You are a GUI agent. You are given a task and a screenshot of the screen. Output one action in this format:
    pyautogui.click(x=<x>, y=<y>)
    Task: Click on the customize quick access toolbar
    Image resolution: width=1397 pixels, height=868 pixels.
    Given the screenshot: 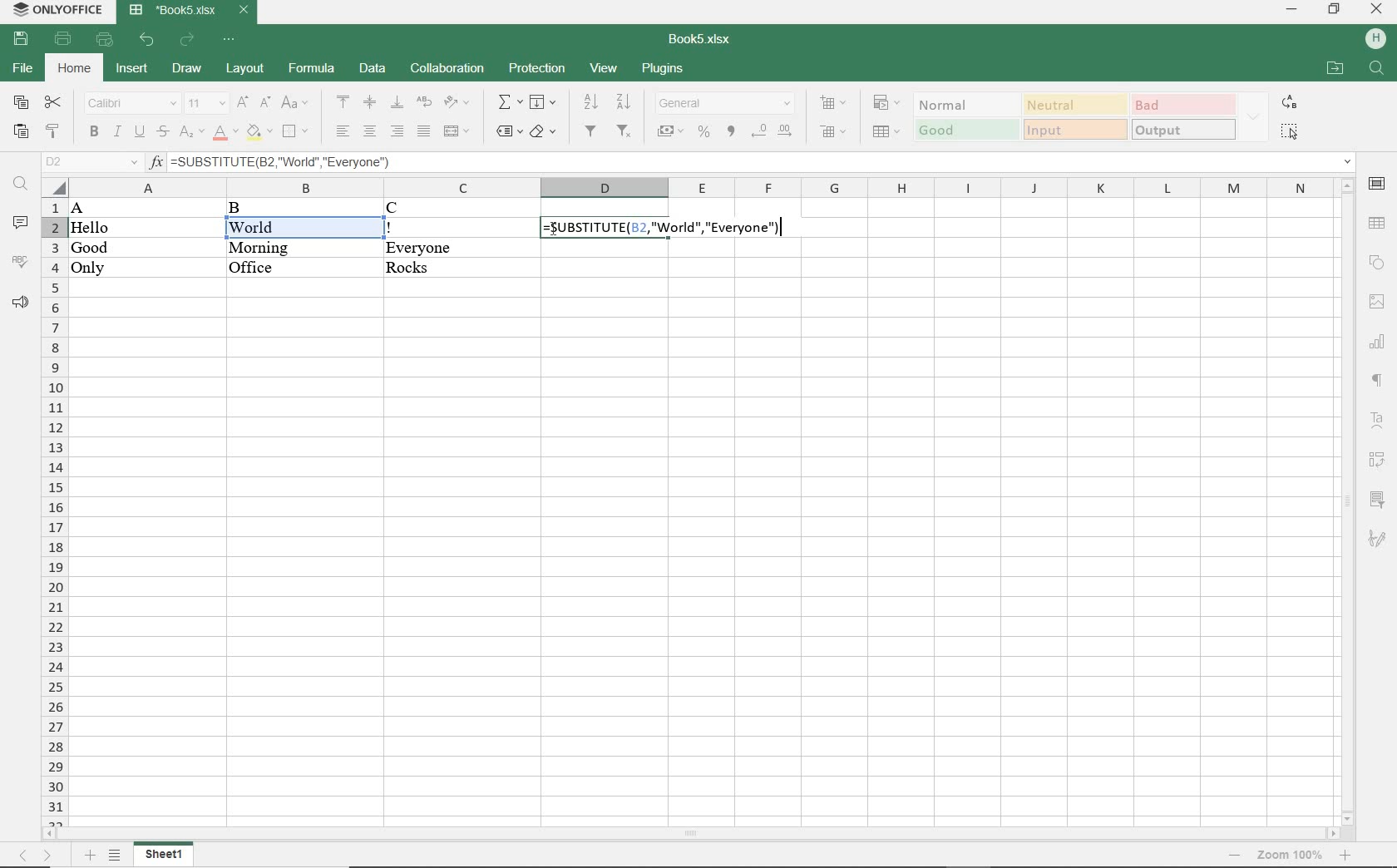 What is the action you would take?
    pyautogui.click(x=229, y=40)
    